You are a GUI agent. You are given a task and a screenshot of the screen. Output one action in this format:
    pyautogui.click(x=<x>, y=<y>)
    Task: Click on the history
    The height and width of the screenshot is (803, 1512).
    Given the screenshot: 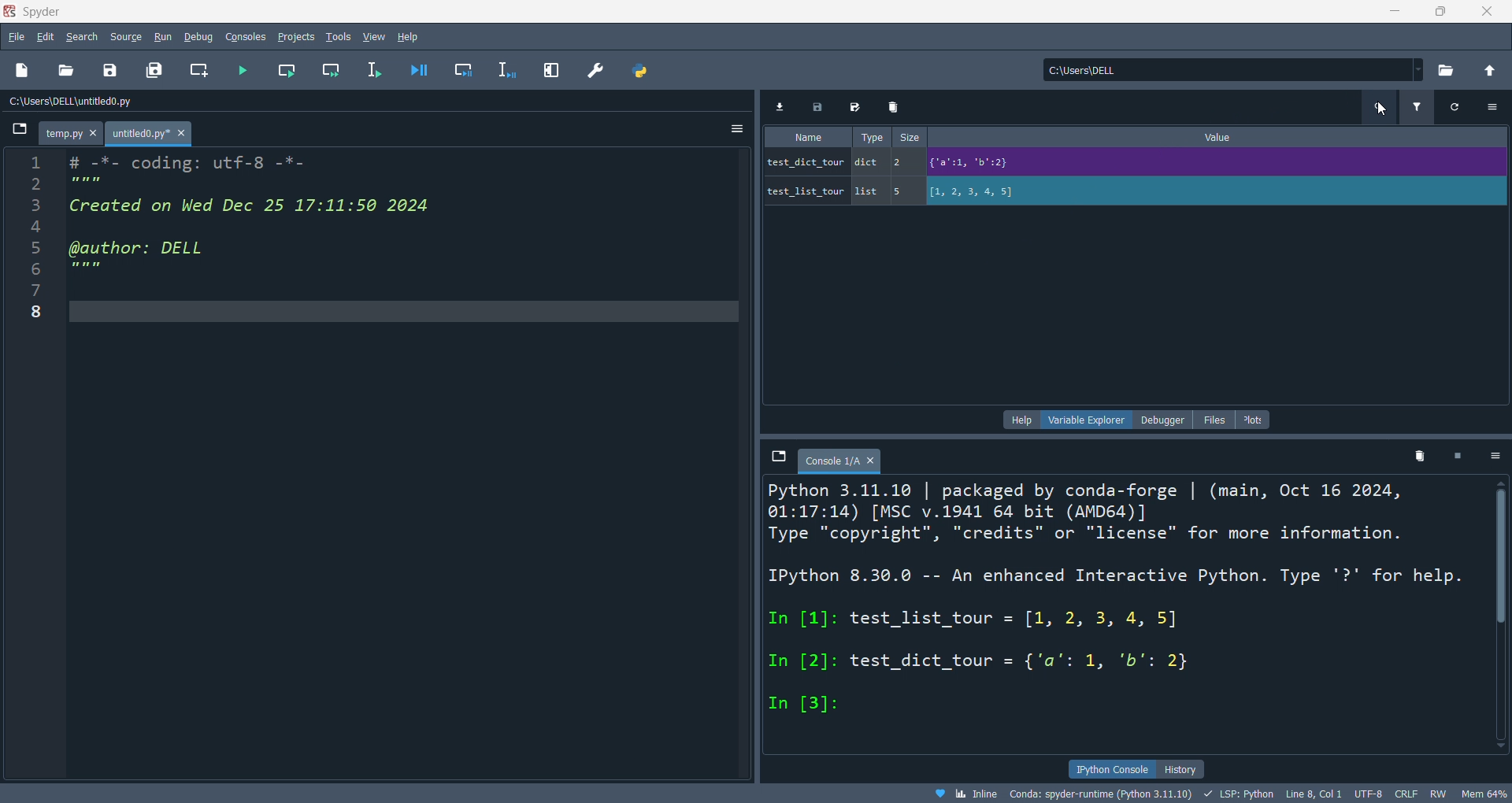 What is the action you would take?
    pyautogui.click(x=1184, y=769)
    